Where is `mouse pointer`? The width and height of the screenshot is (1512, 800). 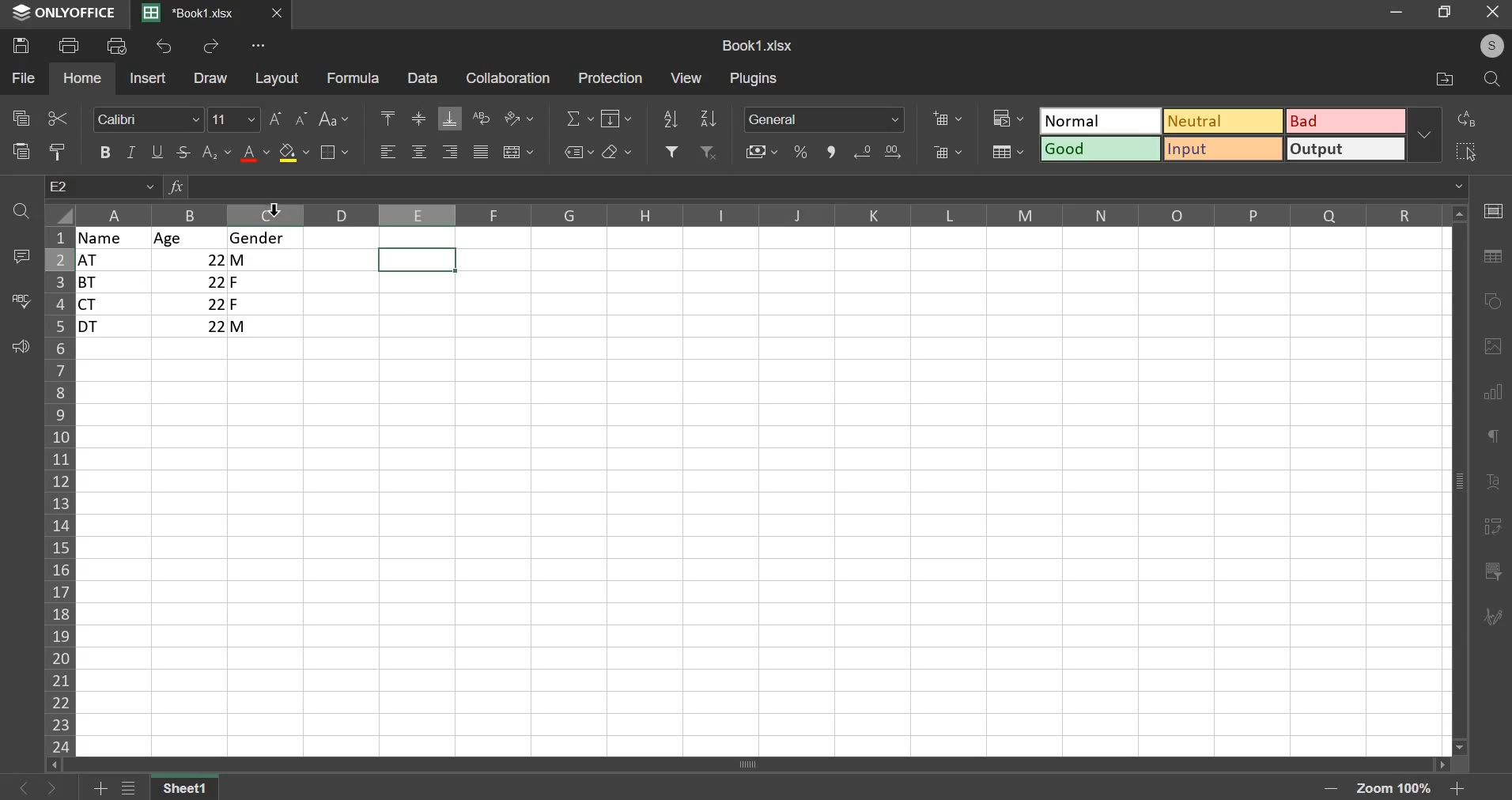 mouse pointer is located at coordinates (274, 210).